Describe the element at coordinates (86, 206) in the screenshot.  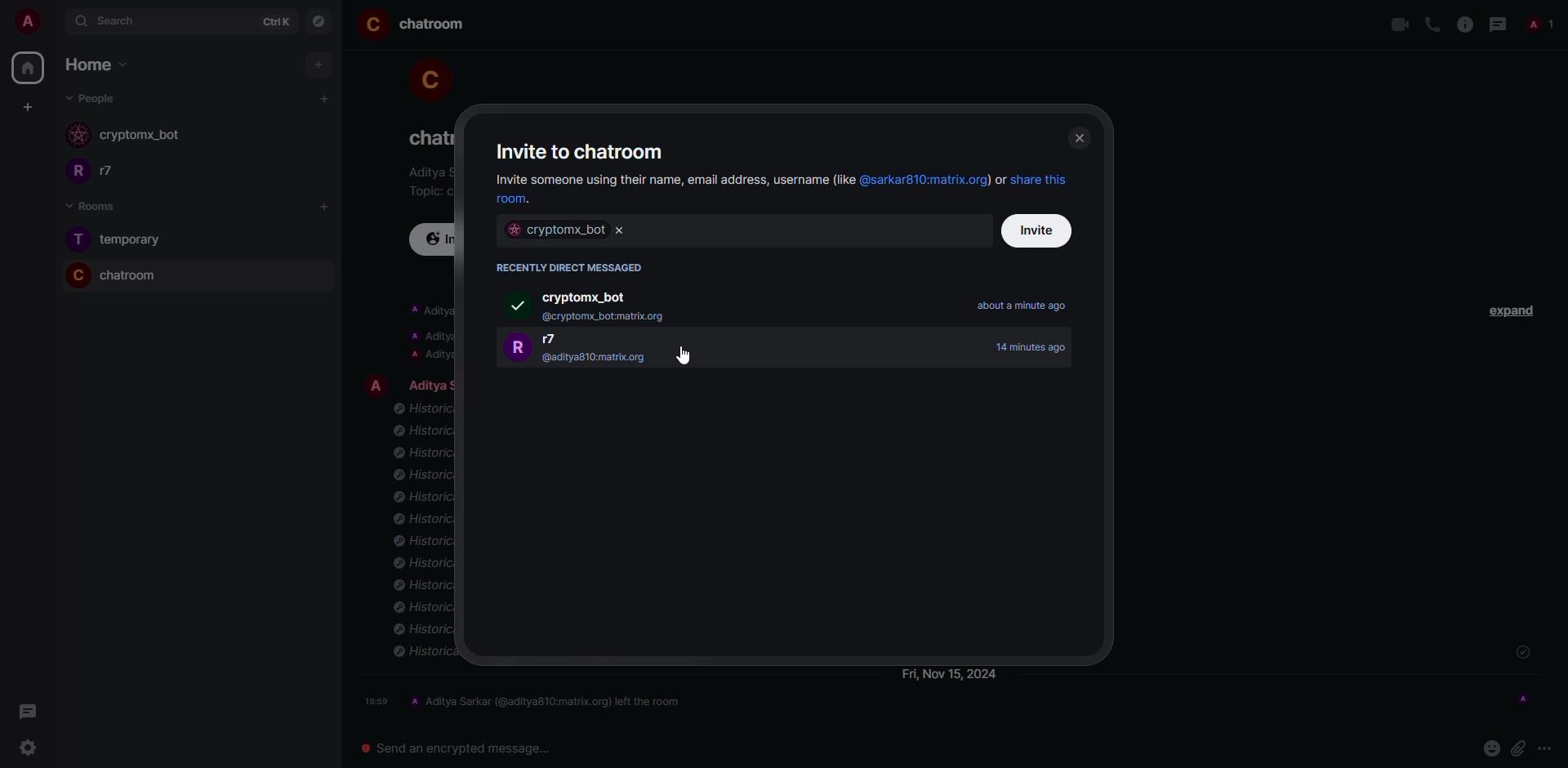
I see `rooms` at that location.